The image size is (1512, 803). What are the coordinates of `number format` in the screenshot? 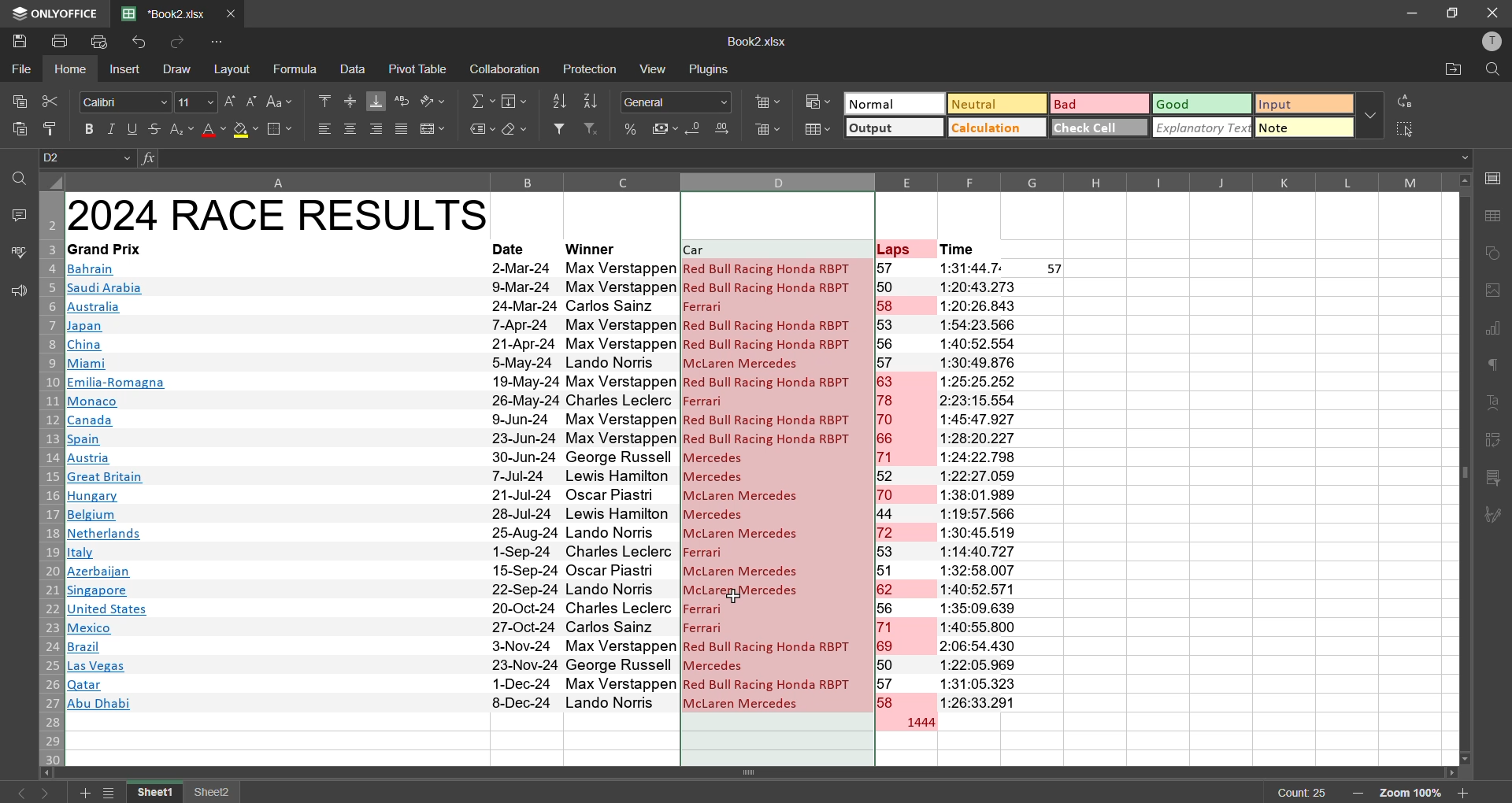 It's located at (681, 102).